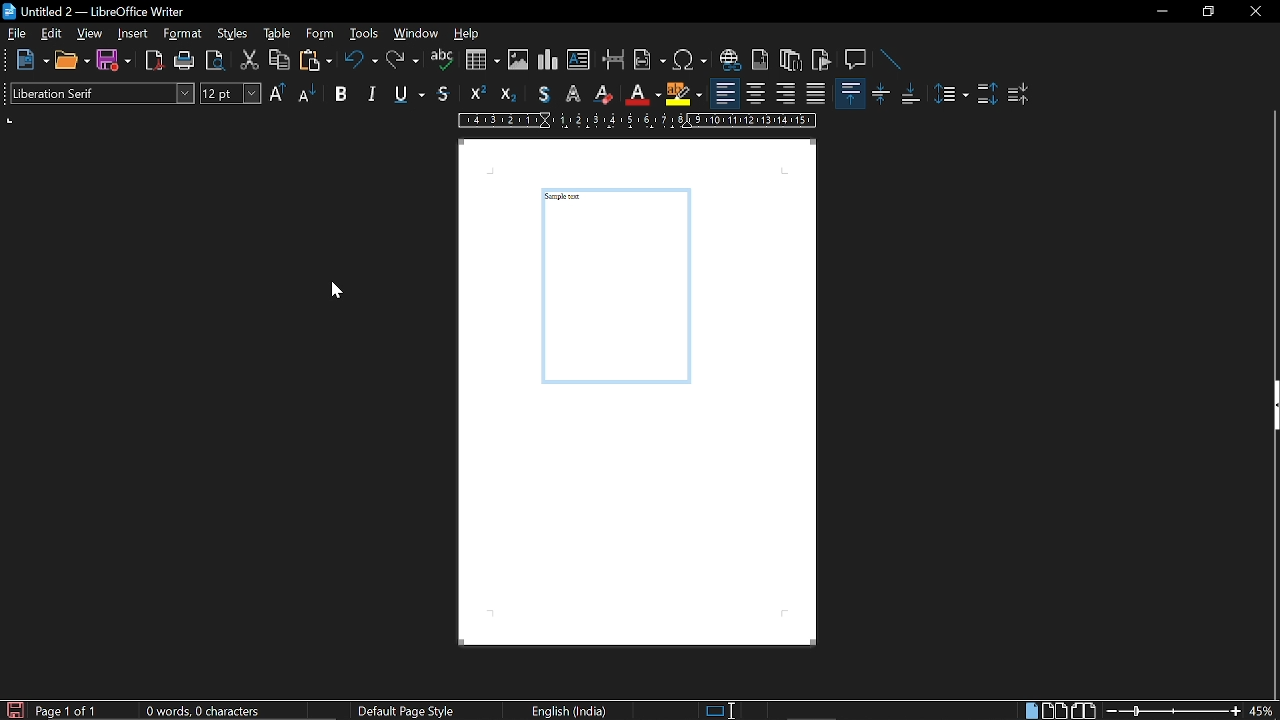  What do you see at coordinates (71, 711) in the screenshot?
I see `page 1 of 1` at bounding box center [71, 711].